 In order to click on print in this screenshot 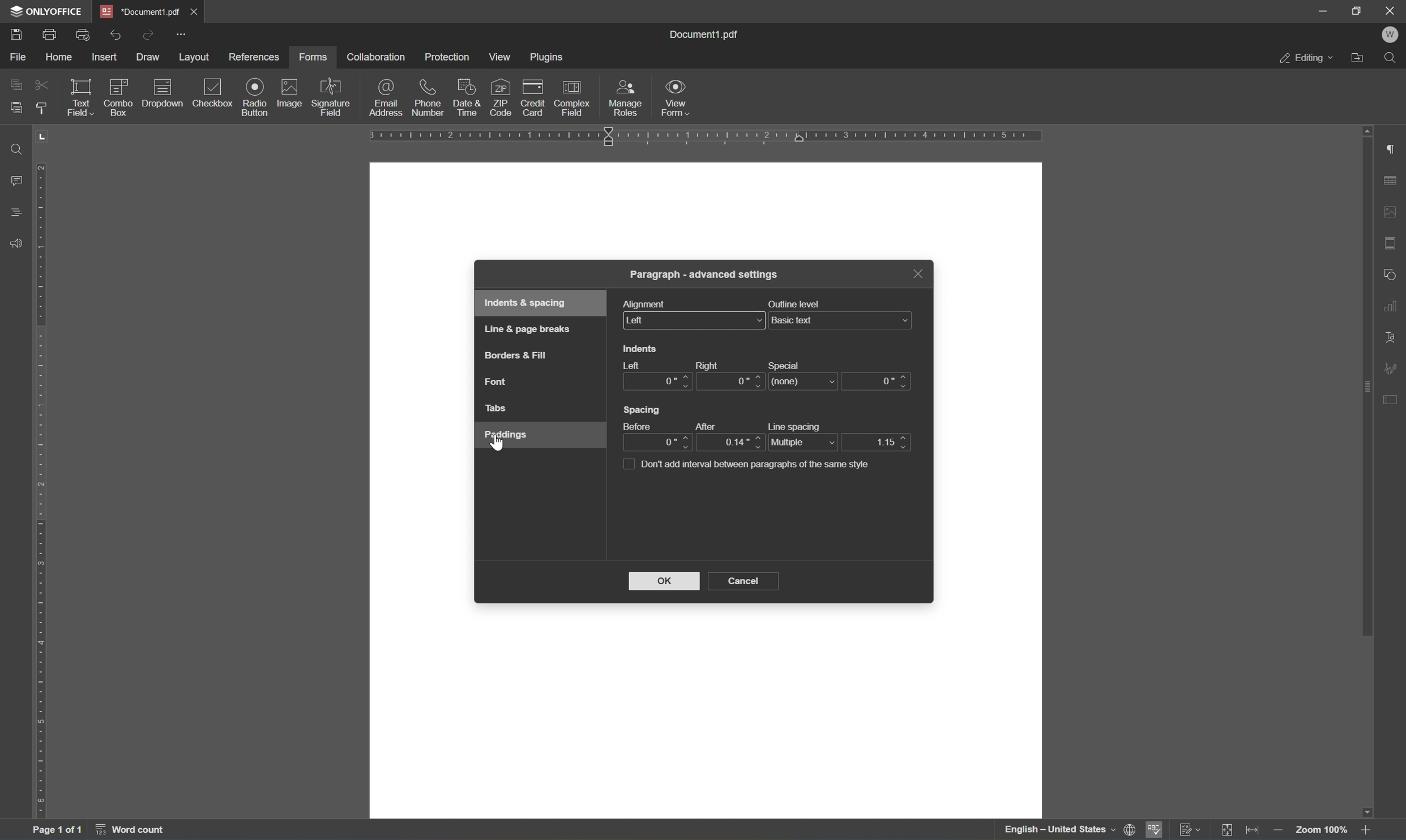, I will do `click(49, 33)`.